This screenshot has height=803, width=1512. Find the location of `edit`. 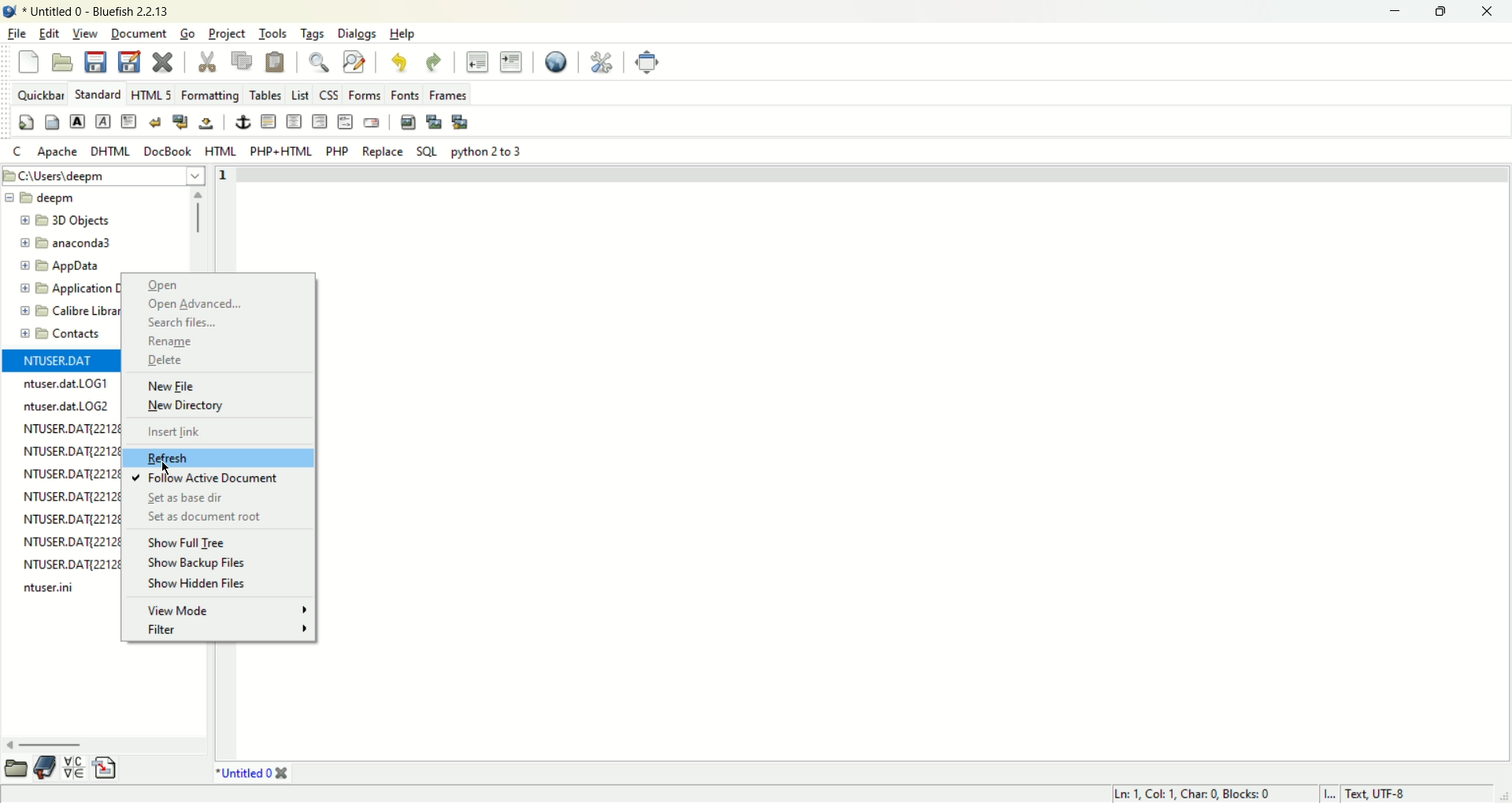

edit is located at coordinates (47, 33).